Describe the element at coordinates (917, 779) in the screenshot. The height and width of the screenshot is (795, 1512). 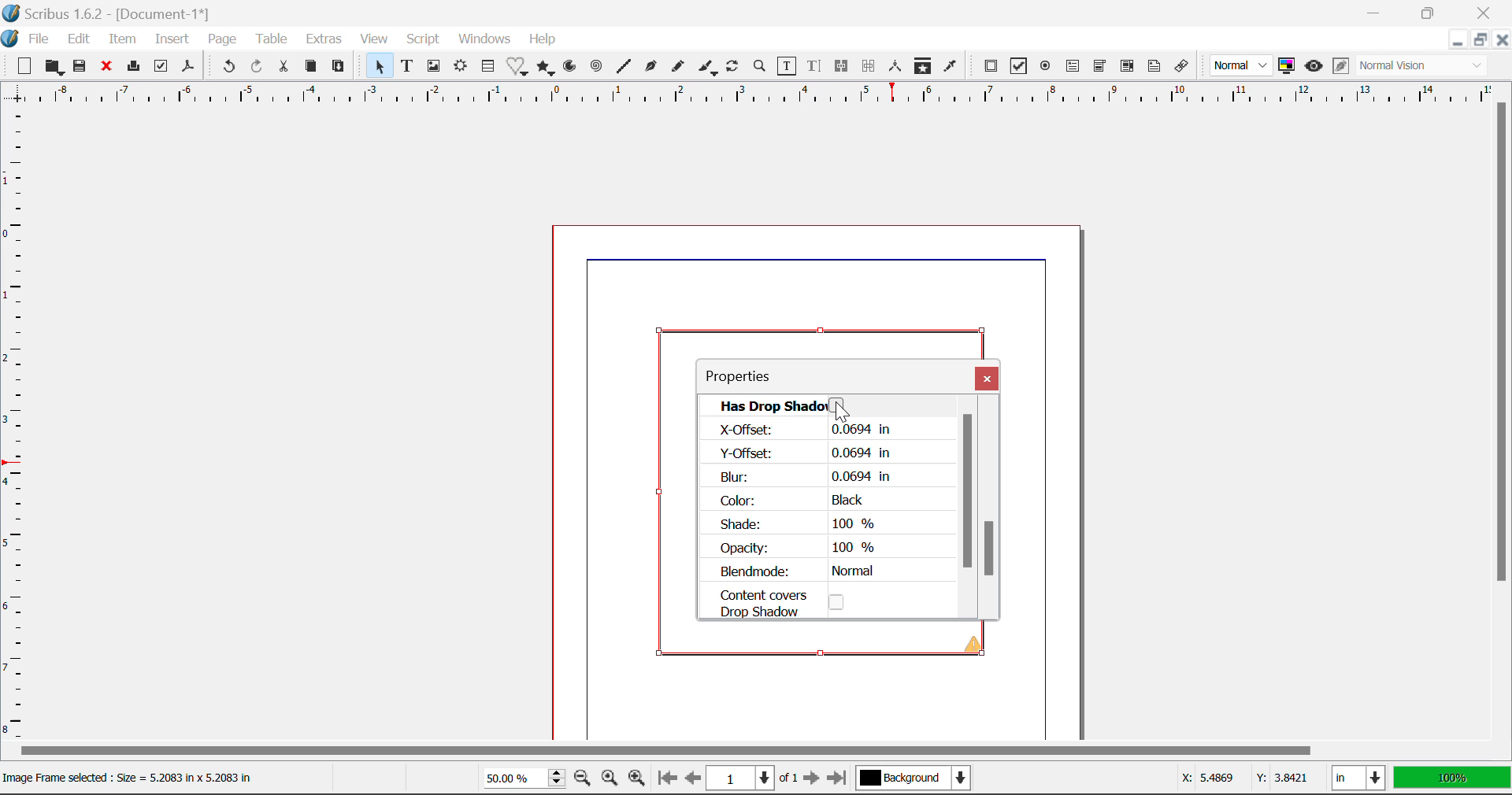
I see `Background` at that location.